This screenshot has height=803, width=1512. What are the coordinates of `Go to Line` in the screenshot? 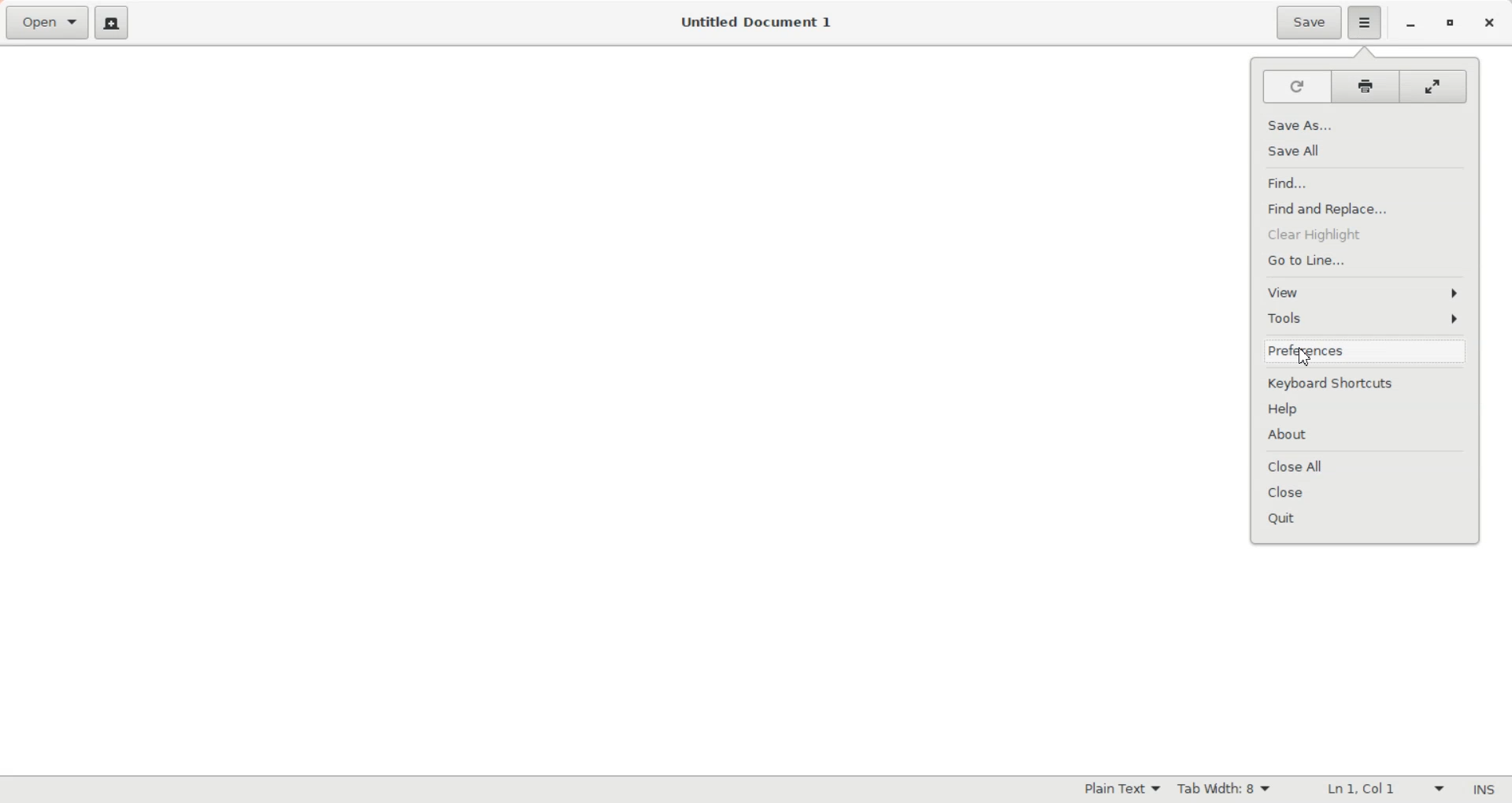 It's located at (1366, 257).